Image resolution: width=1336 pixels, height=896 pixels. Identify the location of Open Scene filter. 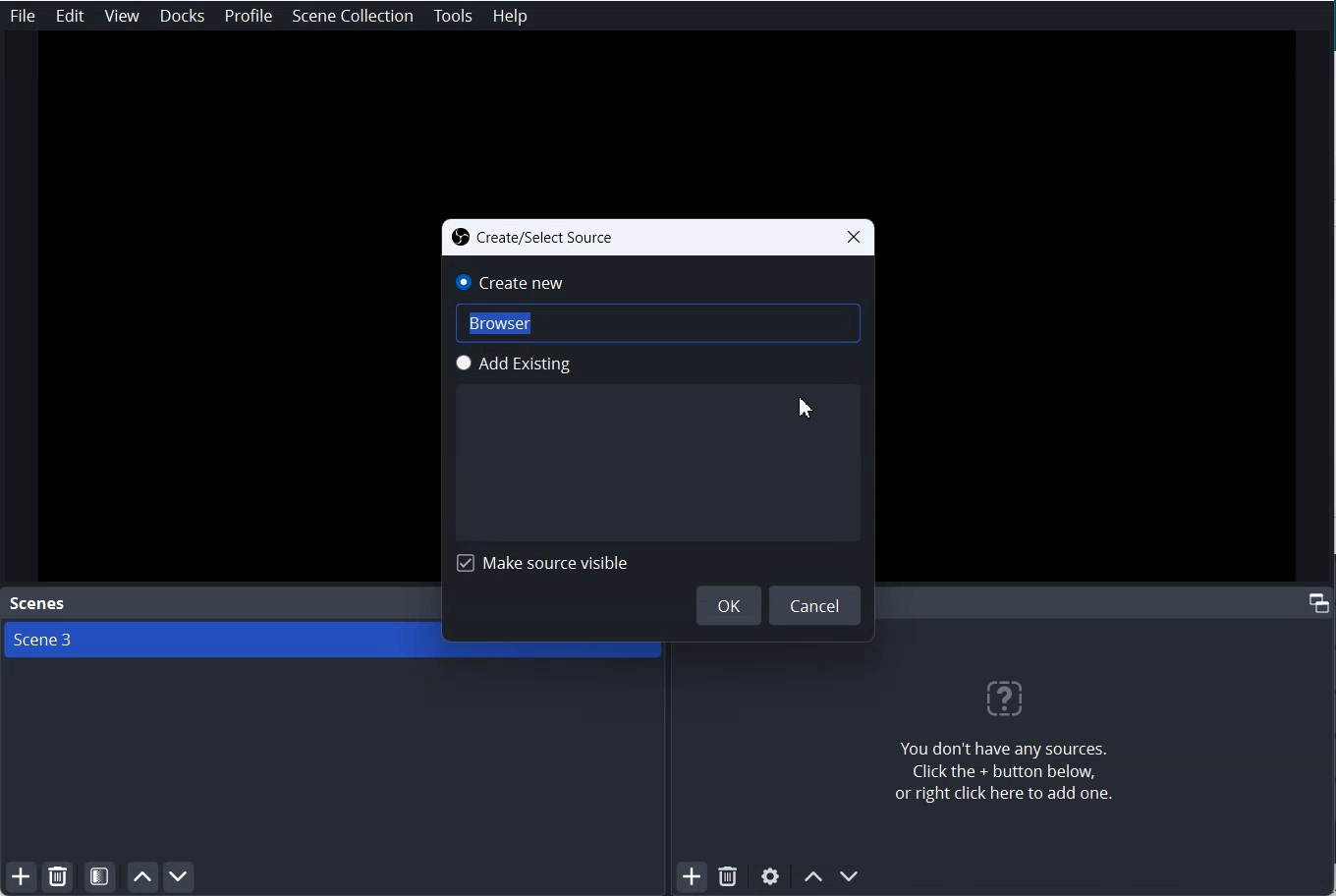
(100, 877).